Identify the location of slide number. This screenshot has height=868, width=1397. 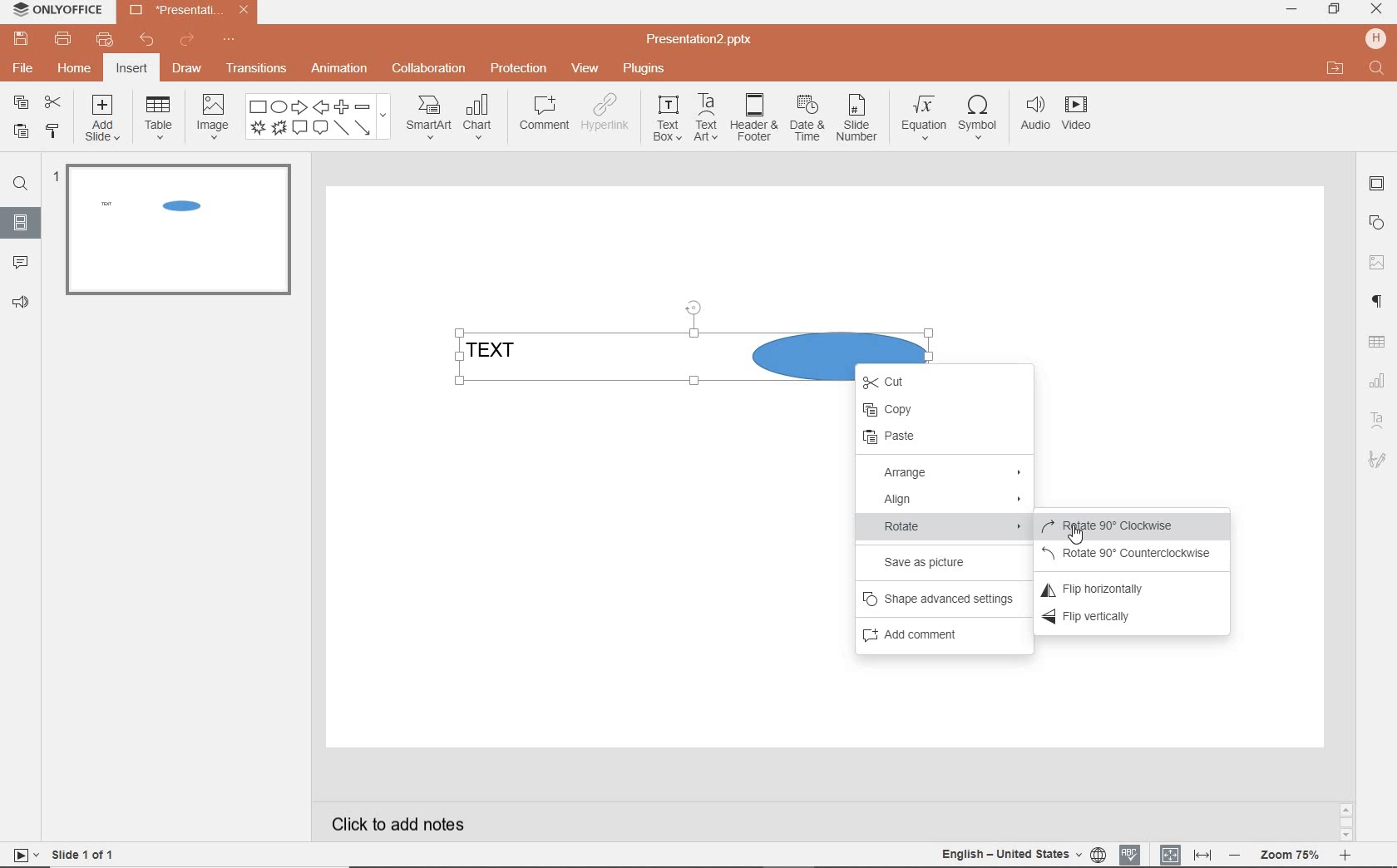
(856, 121).